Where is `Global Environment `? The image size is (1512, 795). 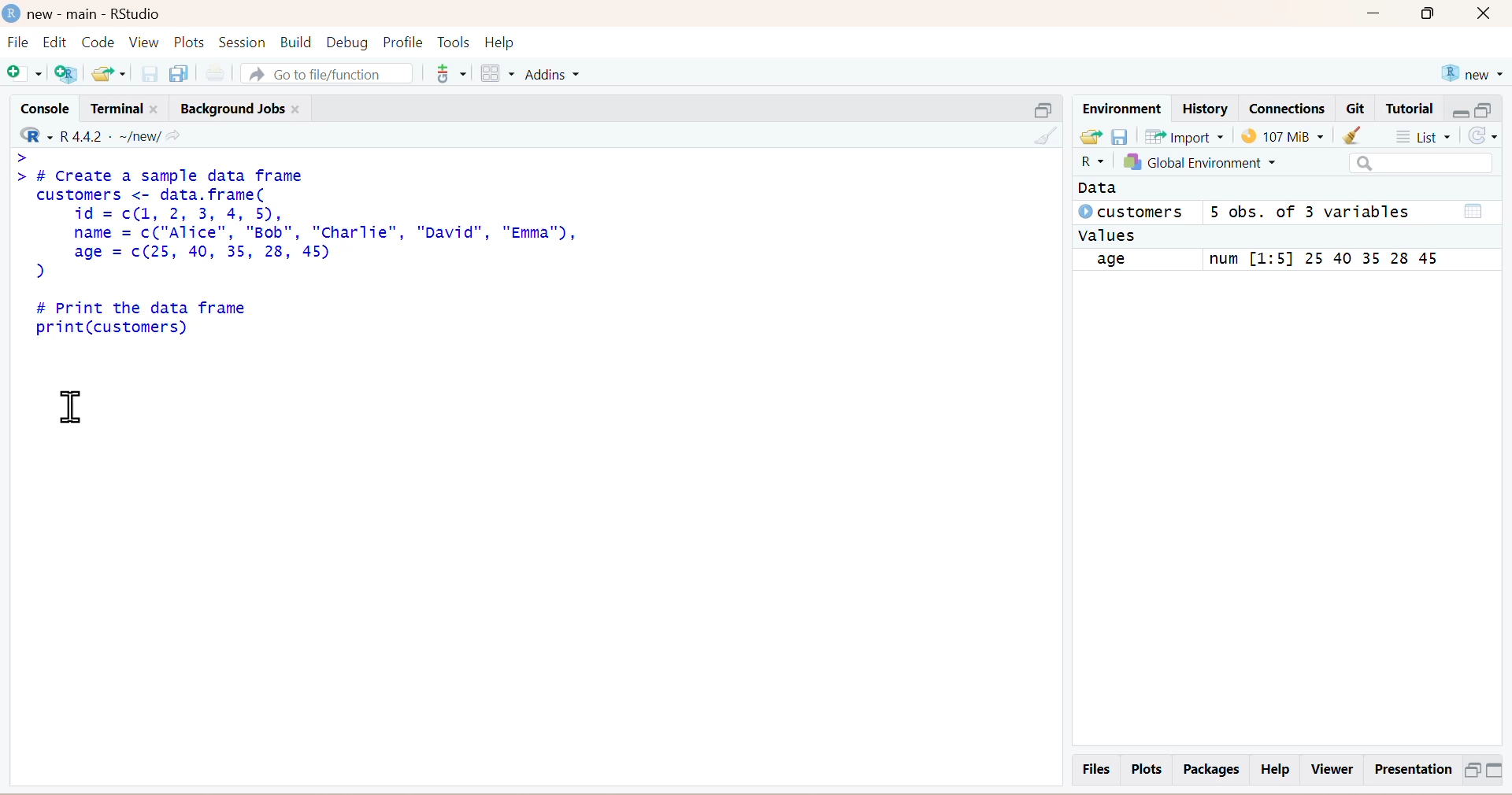 Global Environment  is located at coordinates (1220, 165).